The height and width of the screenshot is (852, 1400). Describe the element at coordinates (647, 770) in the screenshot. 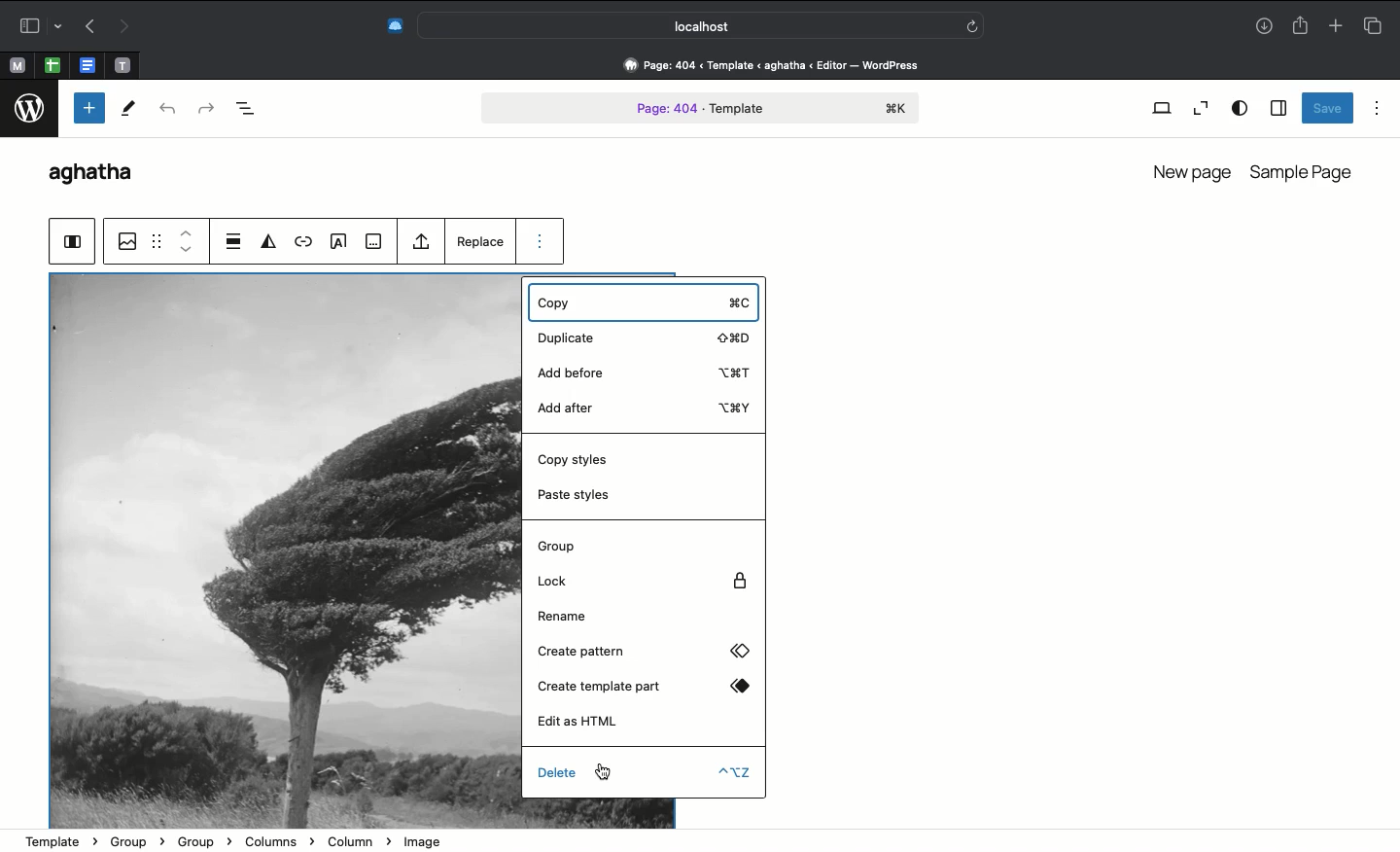

I see `Delete` at that location.